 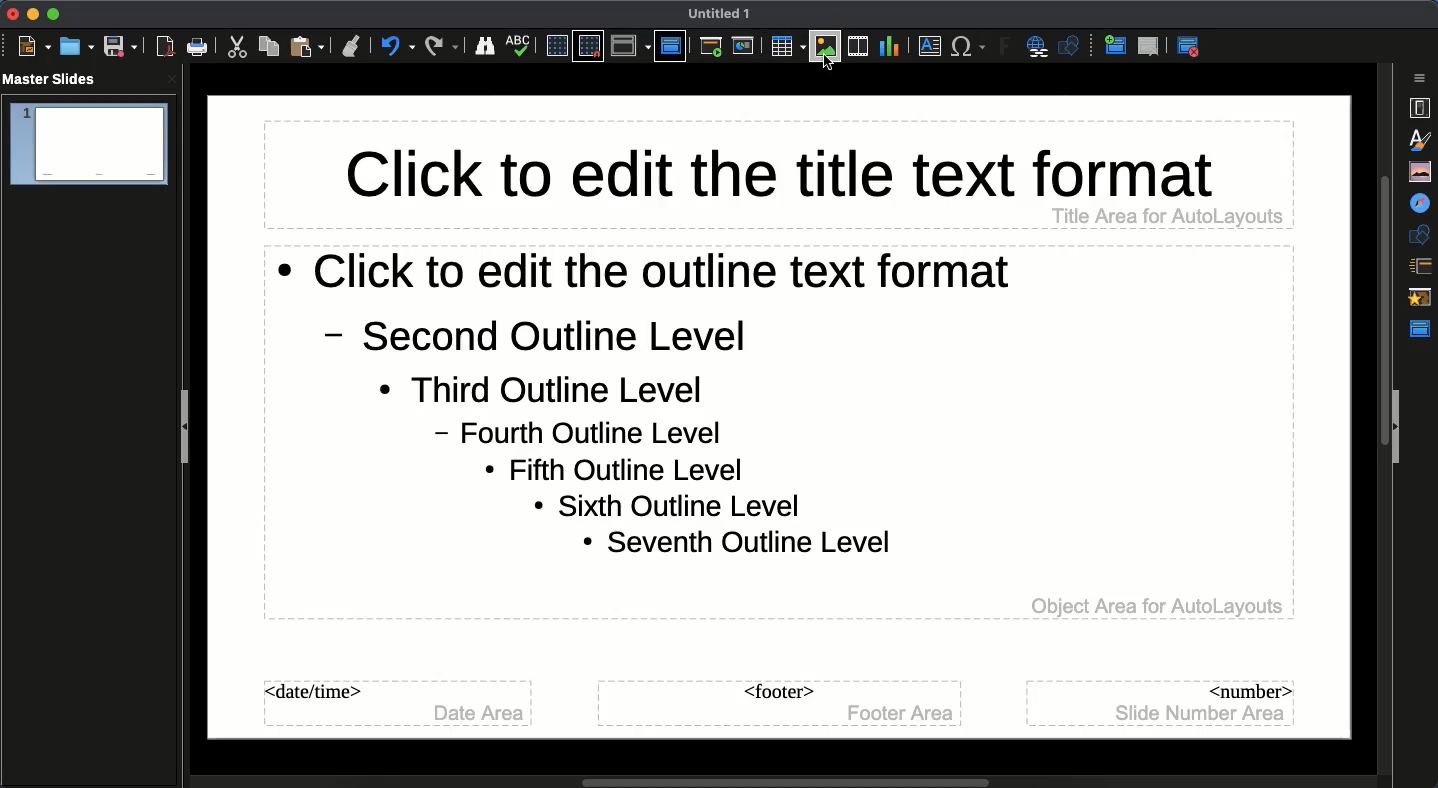 I want to click on Textbox, so click(x=927, y=47).